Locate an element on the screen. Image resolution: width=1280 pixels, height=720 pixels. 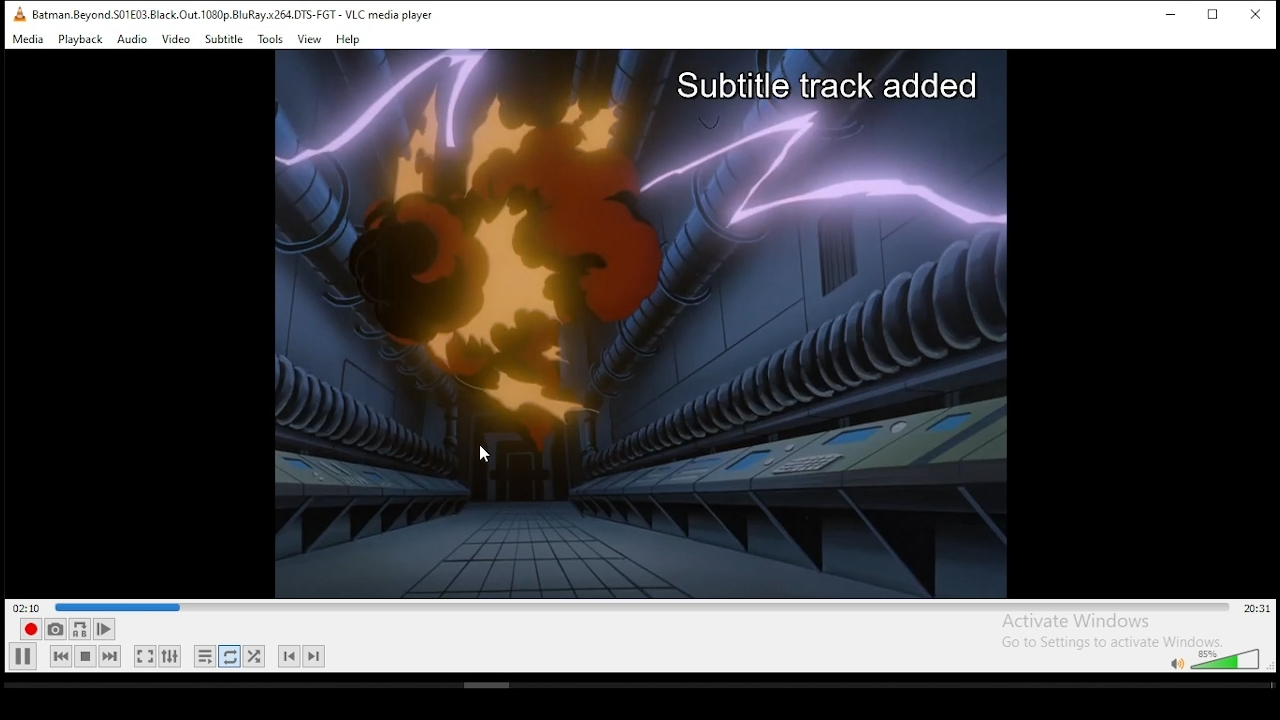
frame by frame is located at coordinates (105, 629).